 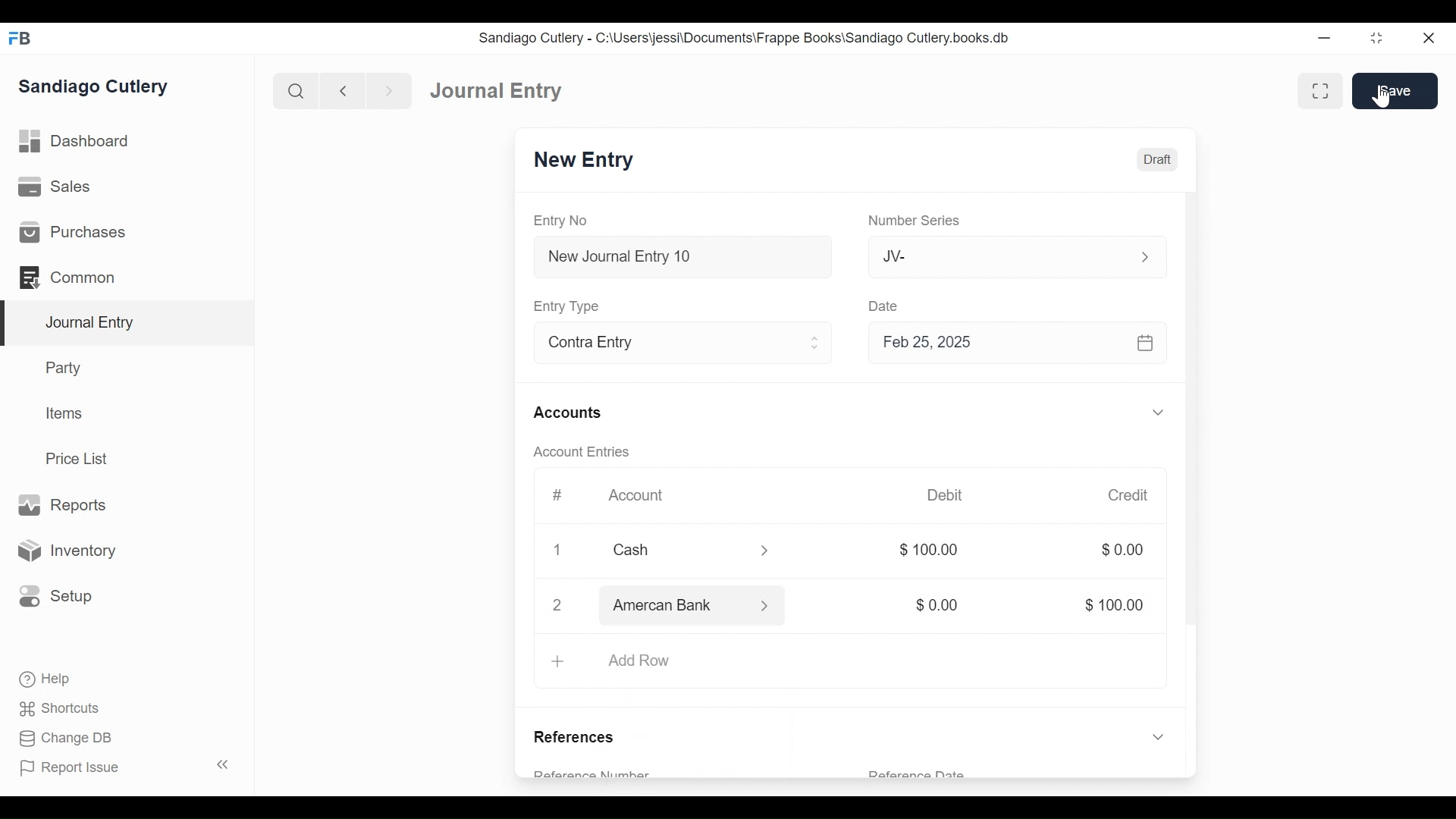 What do you see at coordinates (951, 495) in the screenshot?
I see `Debit` at bounding box center [951, 495].